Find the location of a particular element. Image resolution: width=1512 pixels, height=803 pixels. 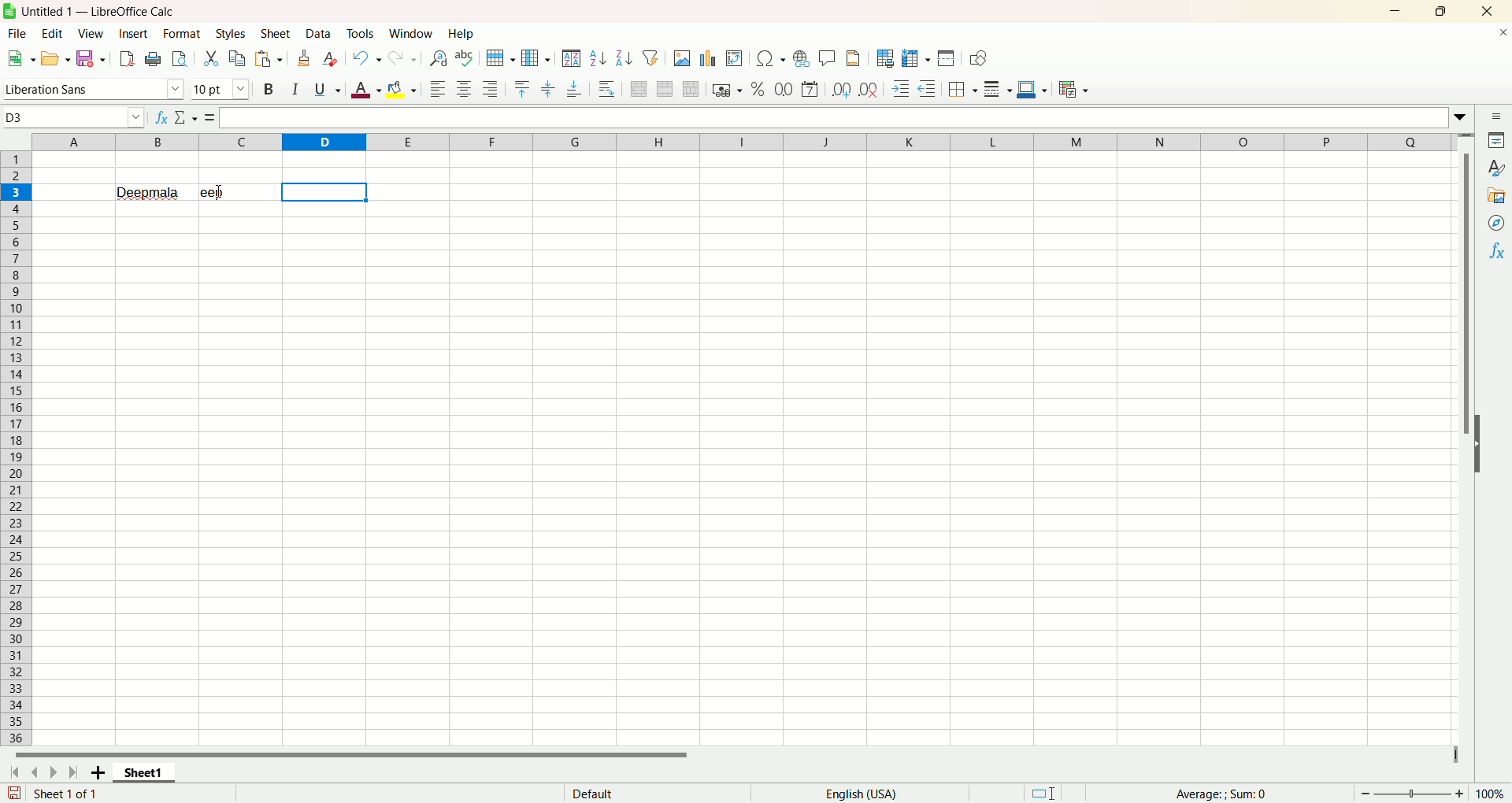

Font name is located at coordinates (95, 88).